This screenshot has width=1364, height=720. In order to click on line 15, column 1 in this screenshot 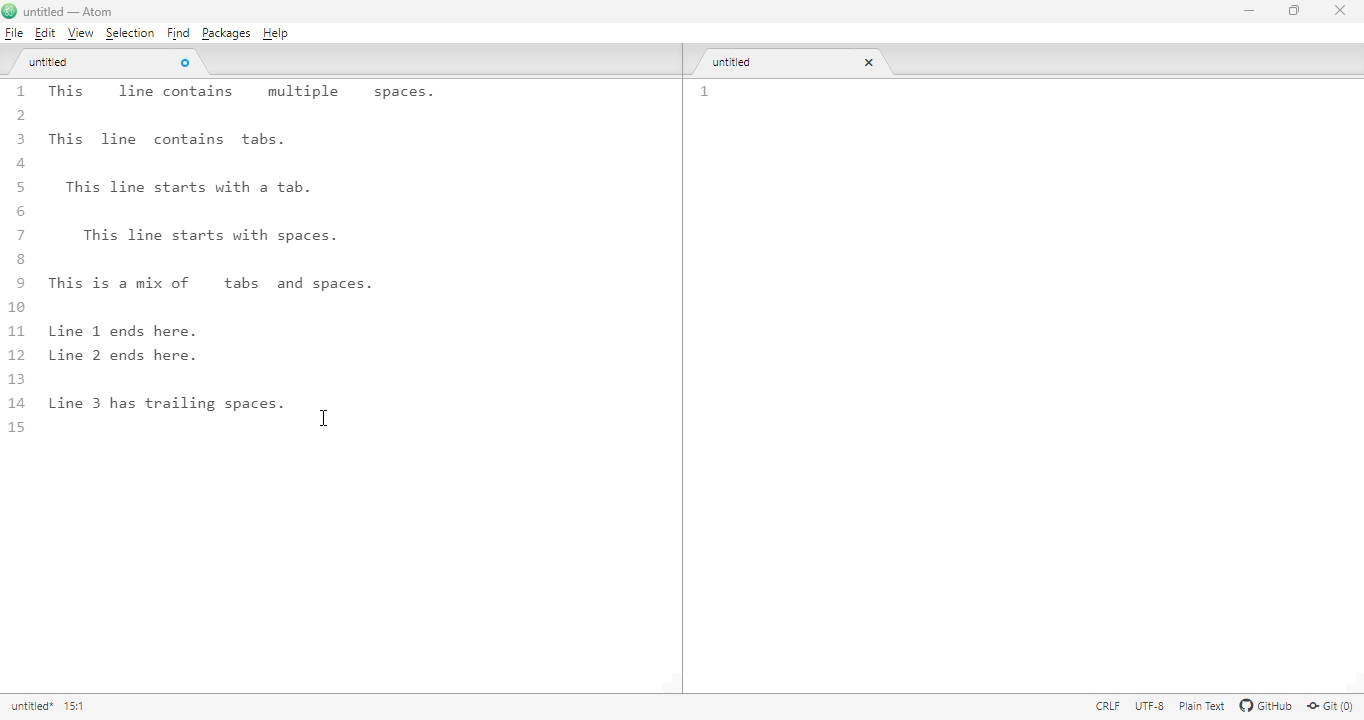, I will do `click(79, 706)`.